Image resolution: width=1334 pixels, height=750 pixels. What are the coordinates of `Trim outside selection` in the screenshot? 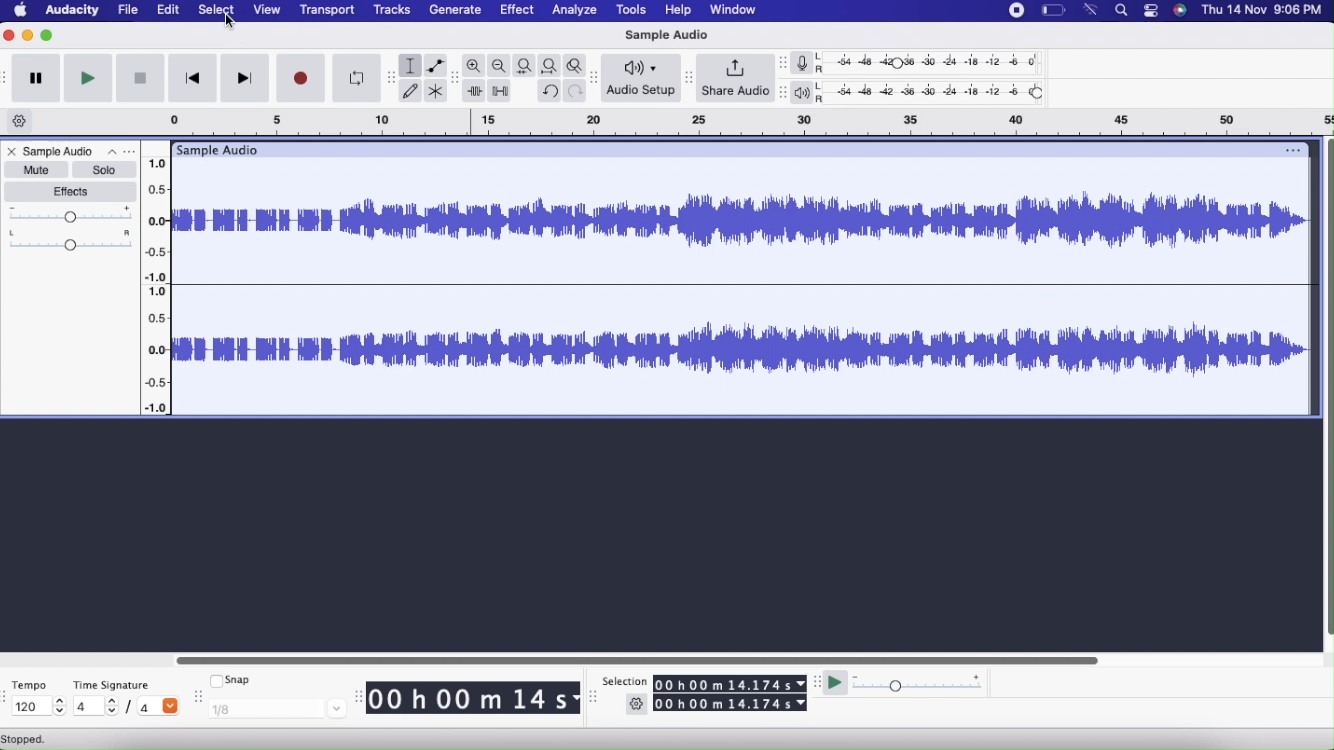 It's located at (475, 90).